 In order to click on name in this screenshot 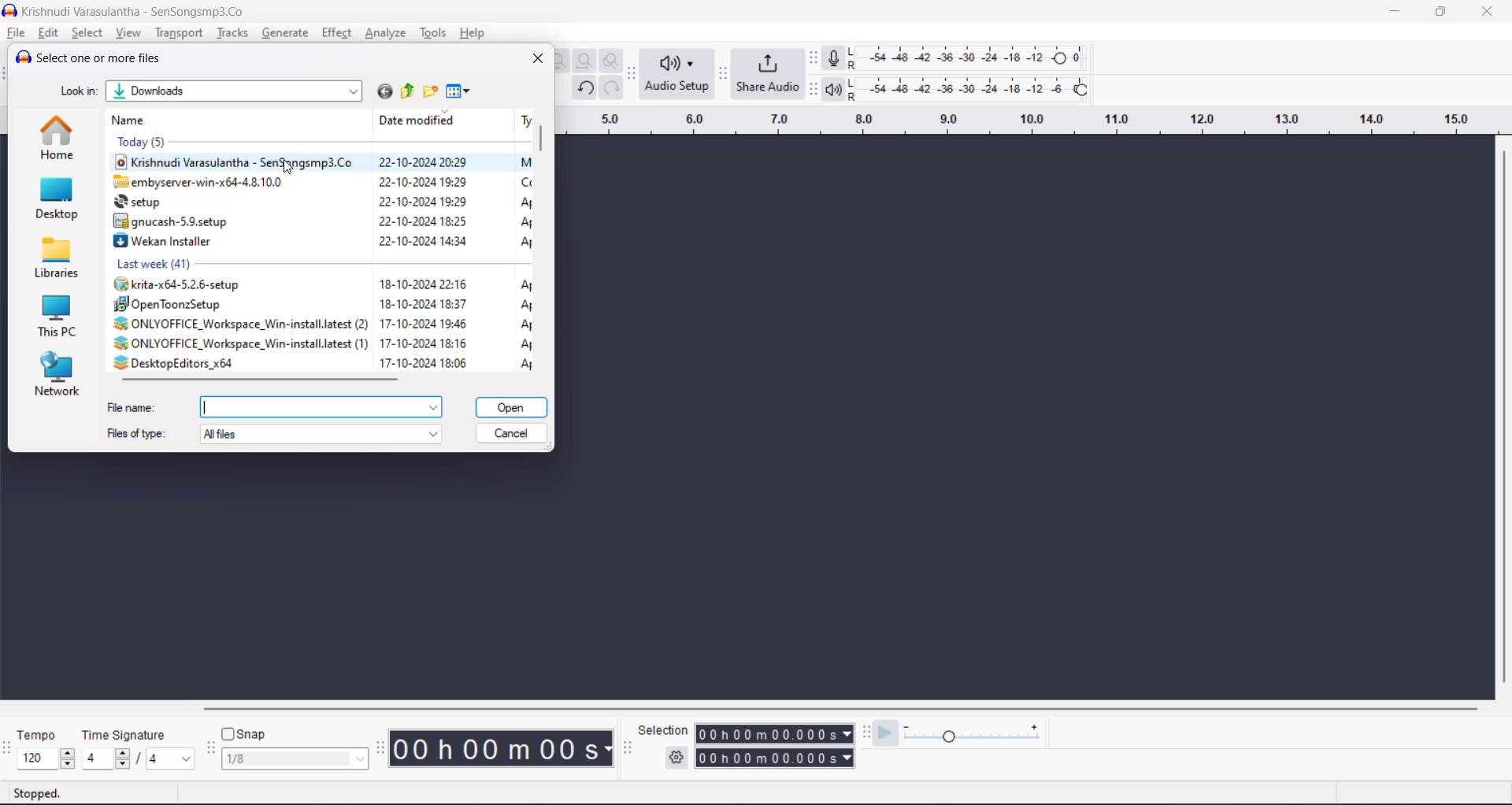, I will do `click(133, 119)`.